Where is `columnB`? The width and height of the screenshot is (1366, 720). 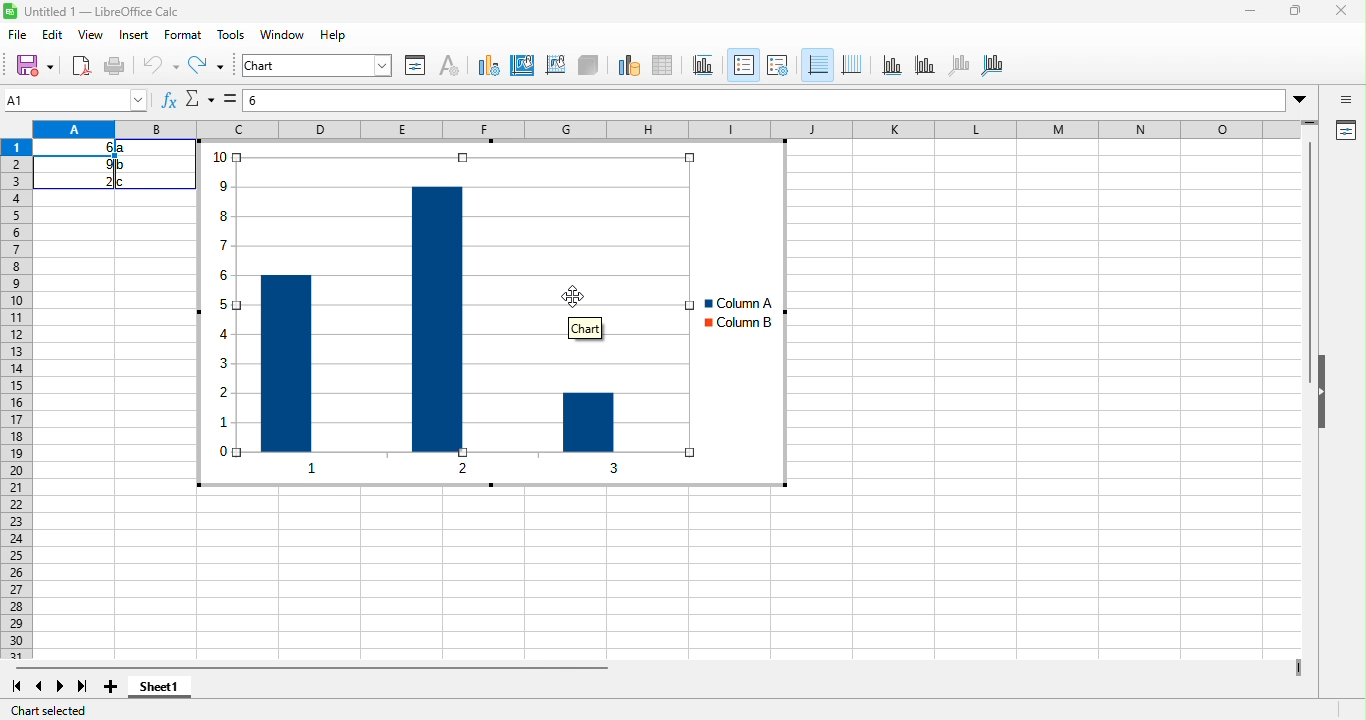 columnB is located at coordinates (737, 325).